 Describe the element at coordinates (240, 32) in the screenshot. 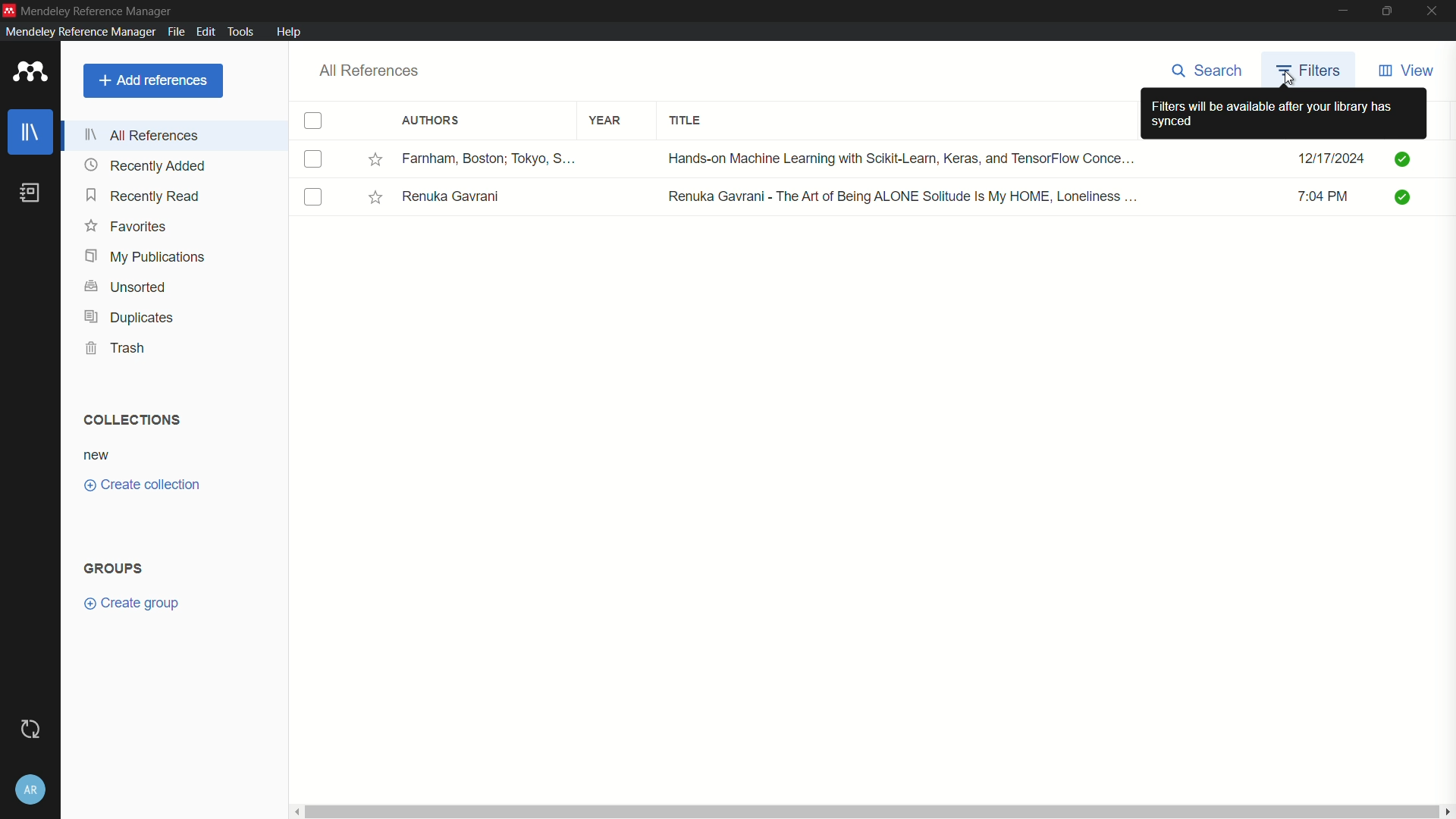

I see `tools menu` at that location.